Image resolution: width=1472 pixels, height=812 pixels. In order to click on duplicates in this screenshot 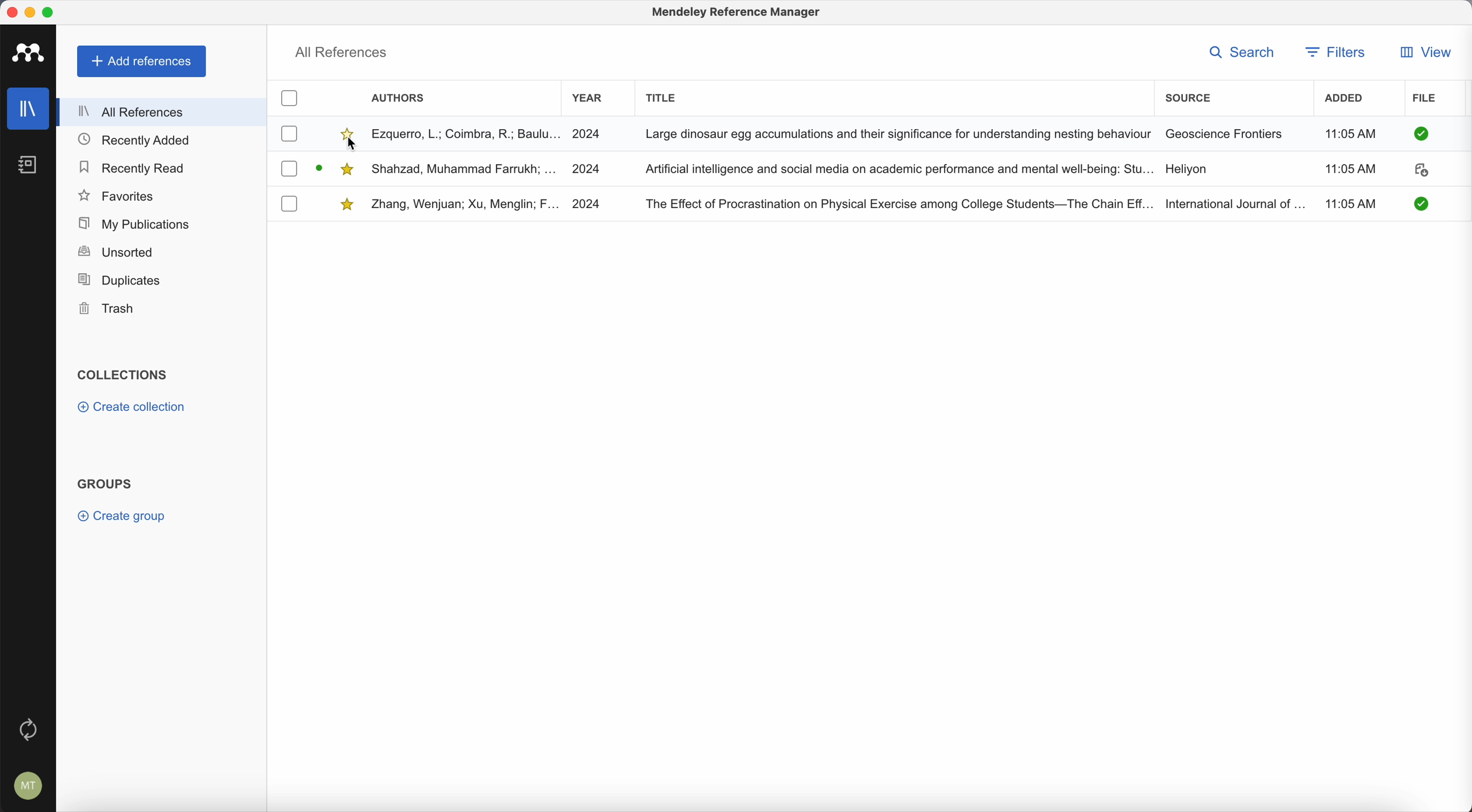, I will do `click(119, 280)`.